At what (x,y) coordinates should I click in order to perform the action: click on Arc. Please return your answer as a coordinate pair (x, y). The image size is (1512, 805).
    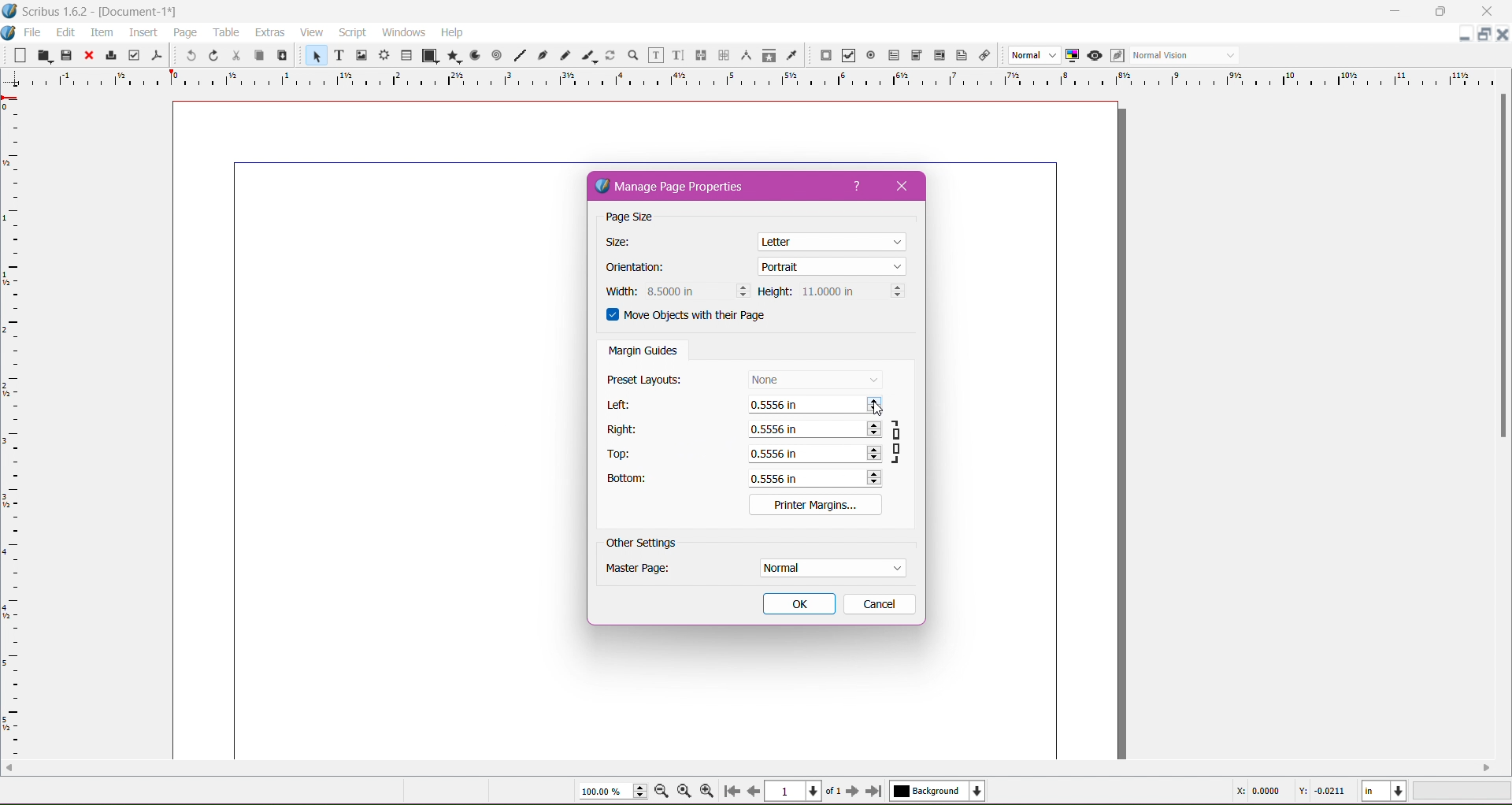
    Looking at the image, I should click on (474, 55).